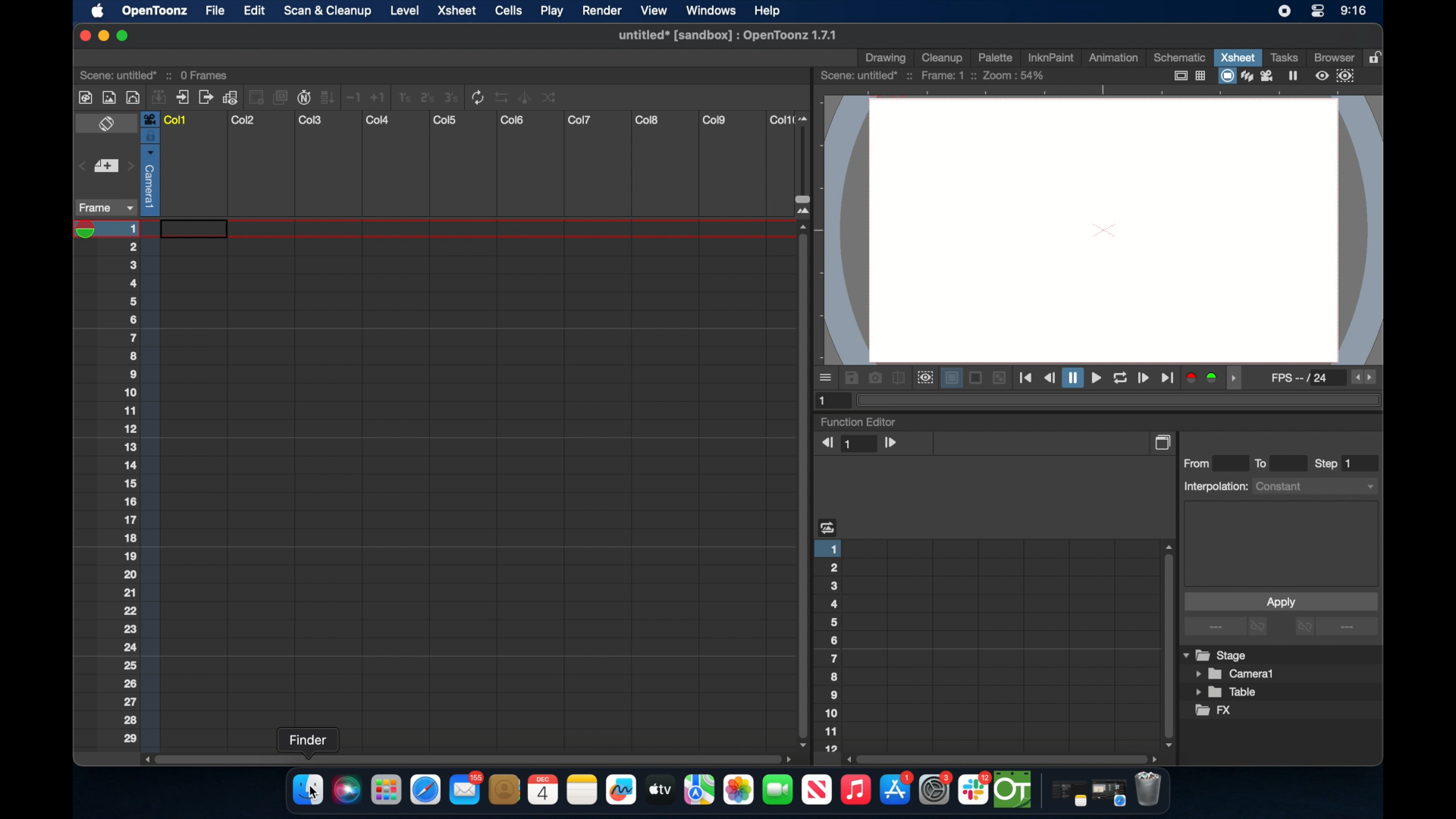 This screenshot has height=819, width=1456. Describe the element at coordinates (155, 74) in the screenshot. I see `scene` at that location.